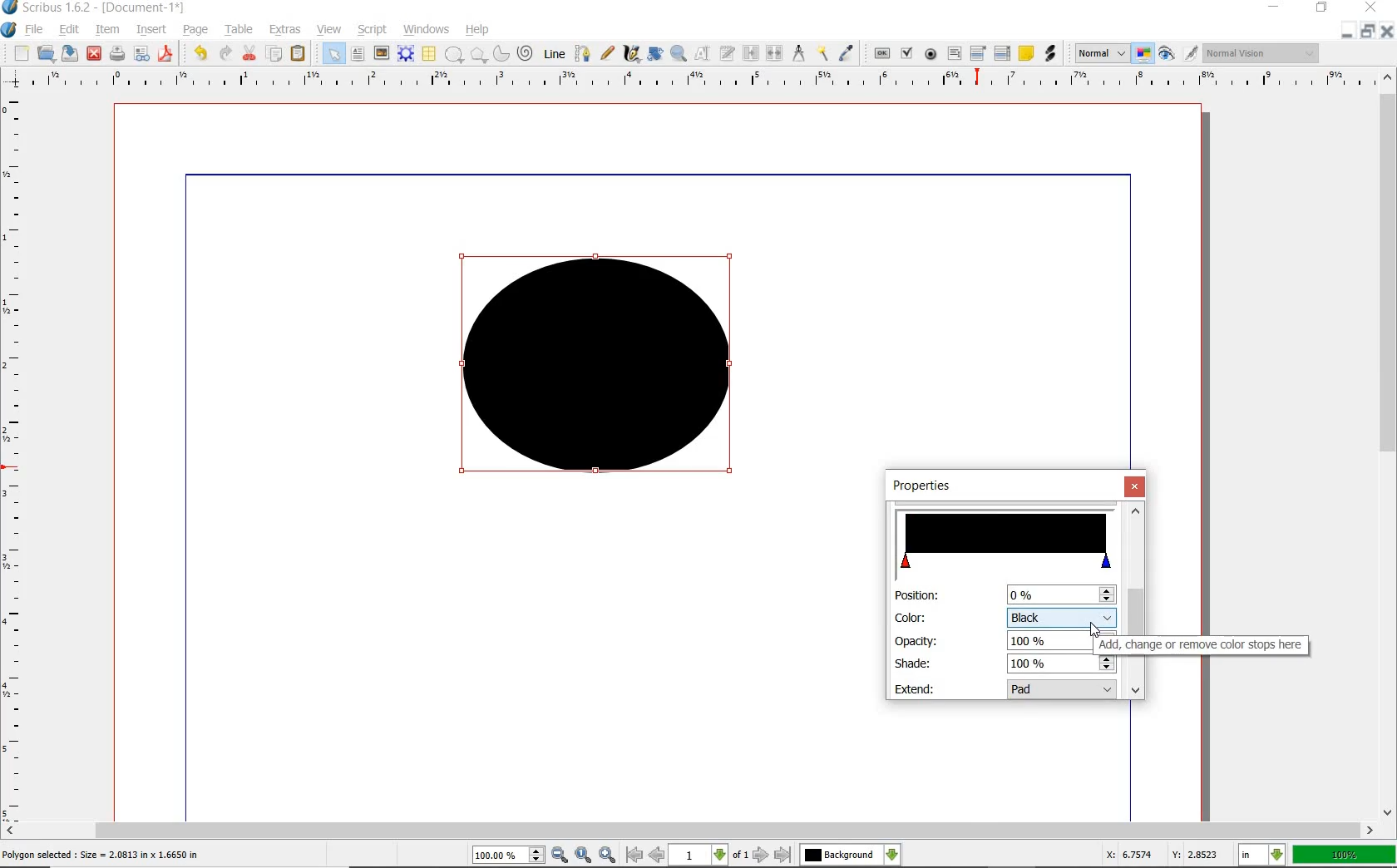  What do you see at coordinates (1135, 589) in the screenshot?
I see `scroll bar` at bounding box center [1135, 589].